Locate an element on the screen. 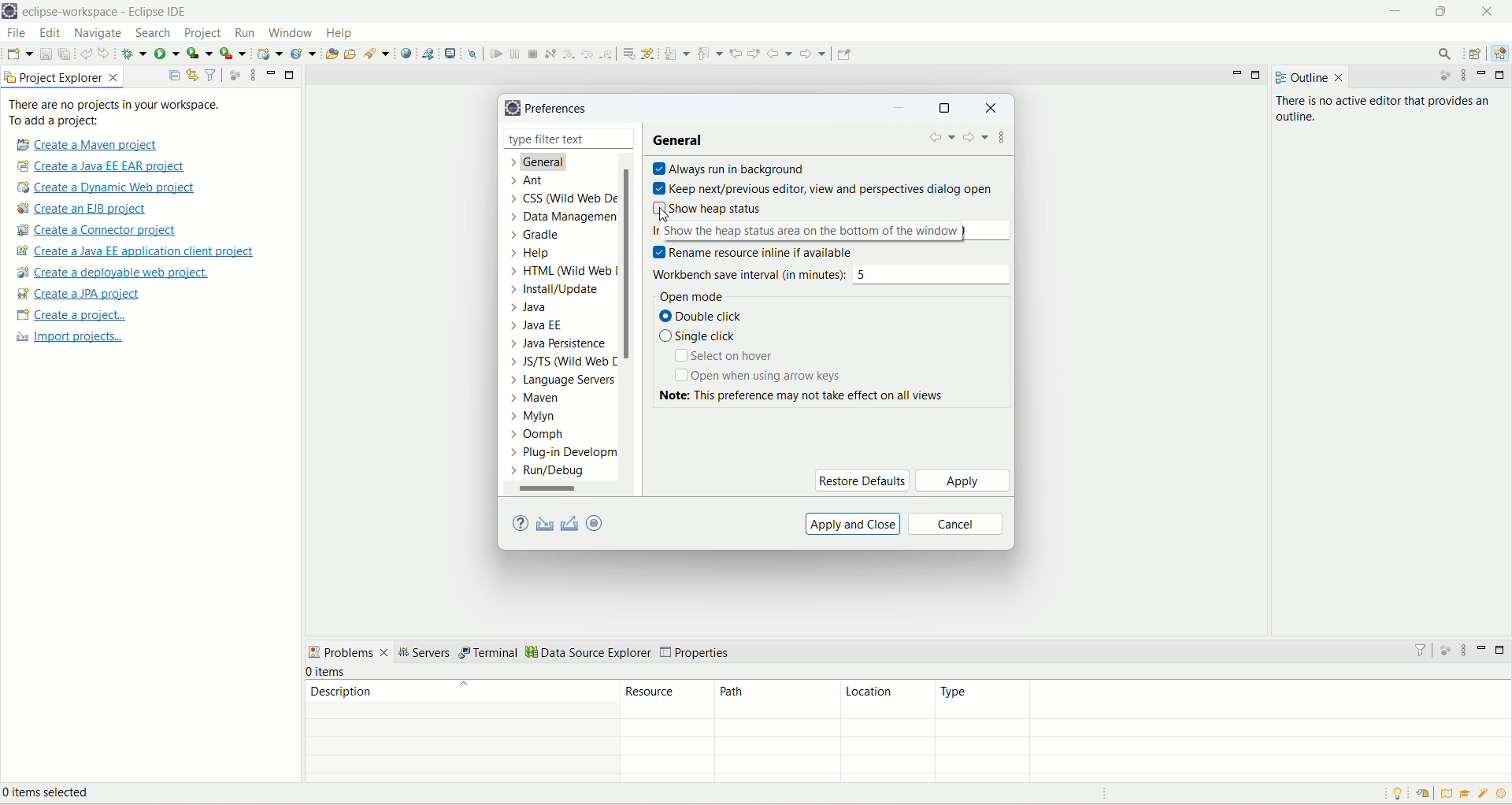 The image size is (1512, 805). HTML is located at coordinates (565, 273).